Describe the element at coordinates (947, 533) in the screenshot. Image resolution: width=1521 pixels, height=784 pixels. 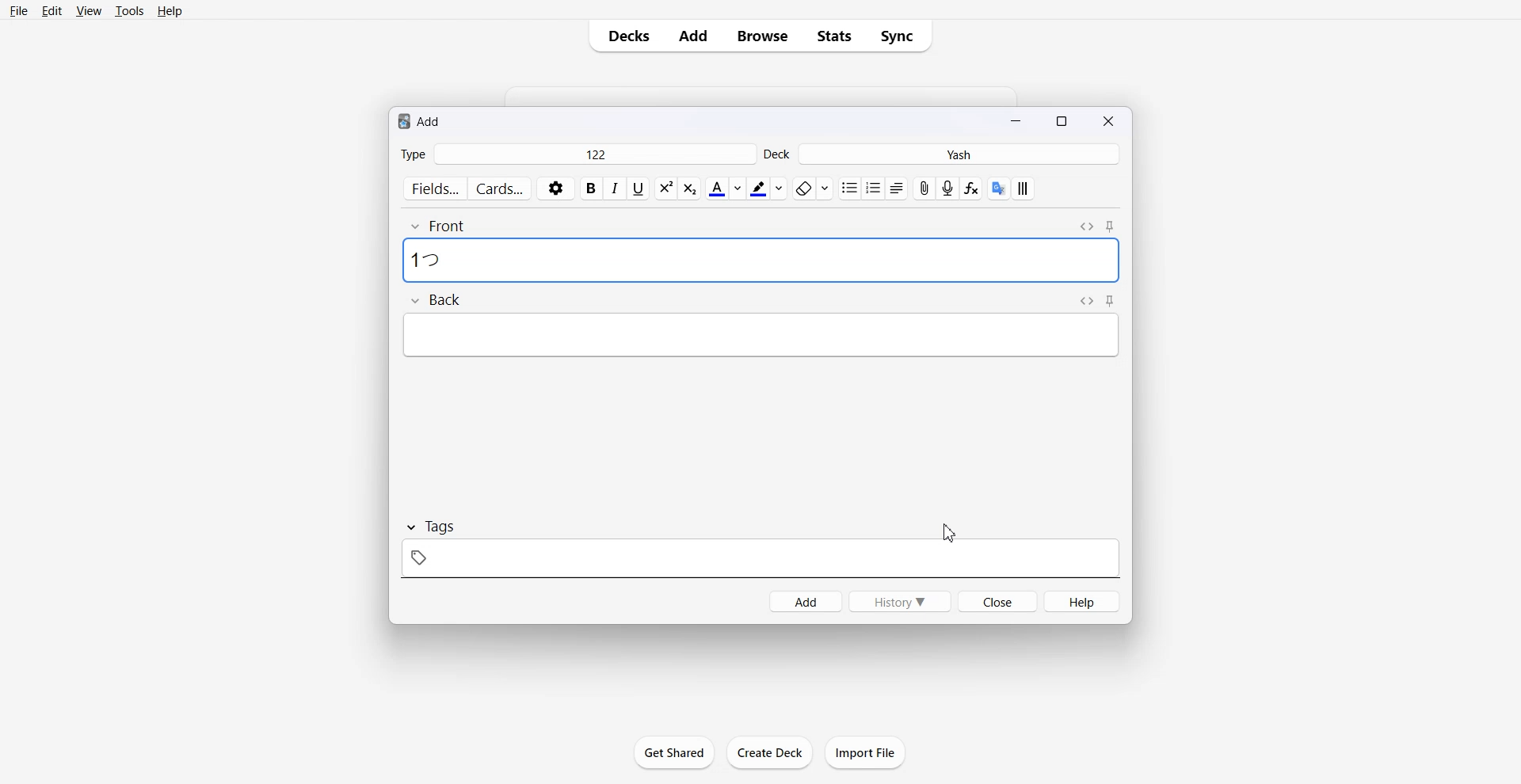
I see `Cursor` at that location.